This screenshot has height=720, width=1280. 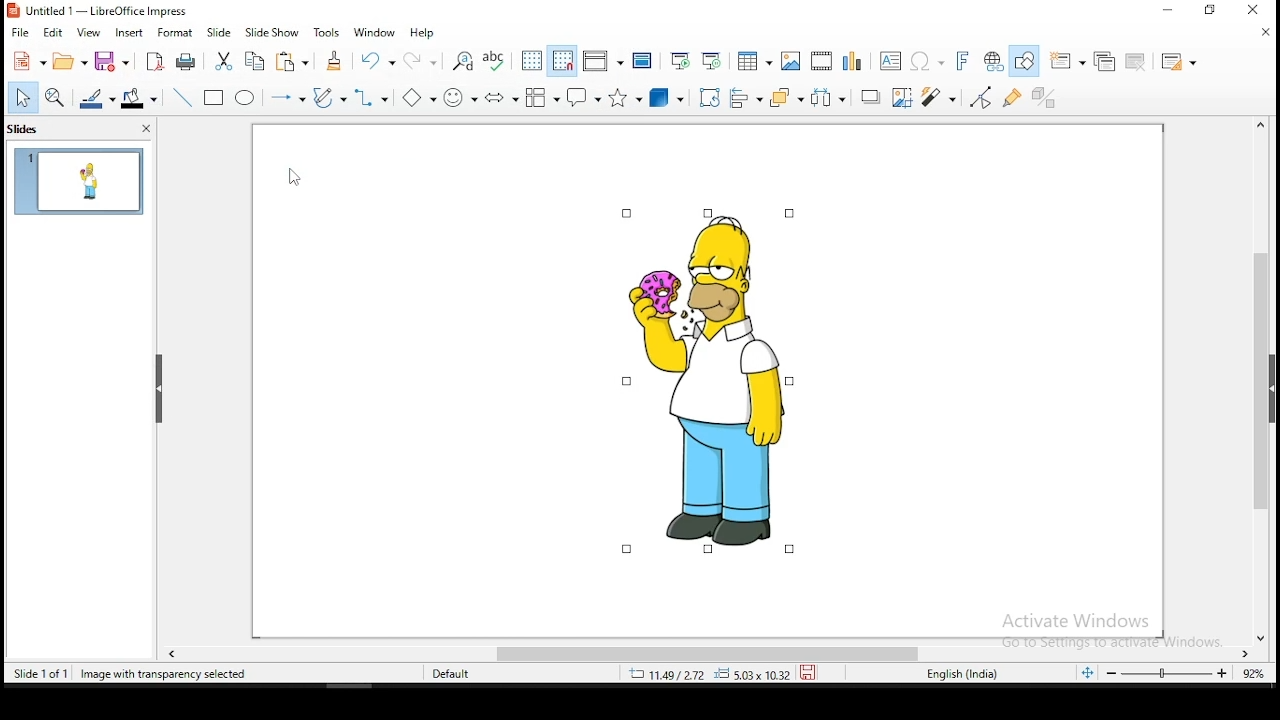 I want to click on line, so click(x=183, y=98).